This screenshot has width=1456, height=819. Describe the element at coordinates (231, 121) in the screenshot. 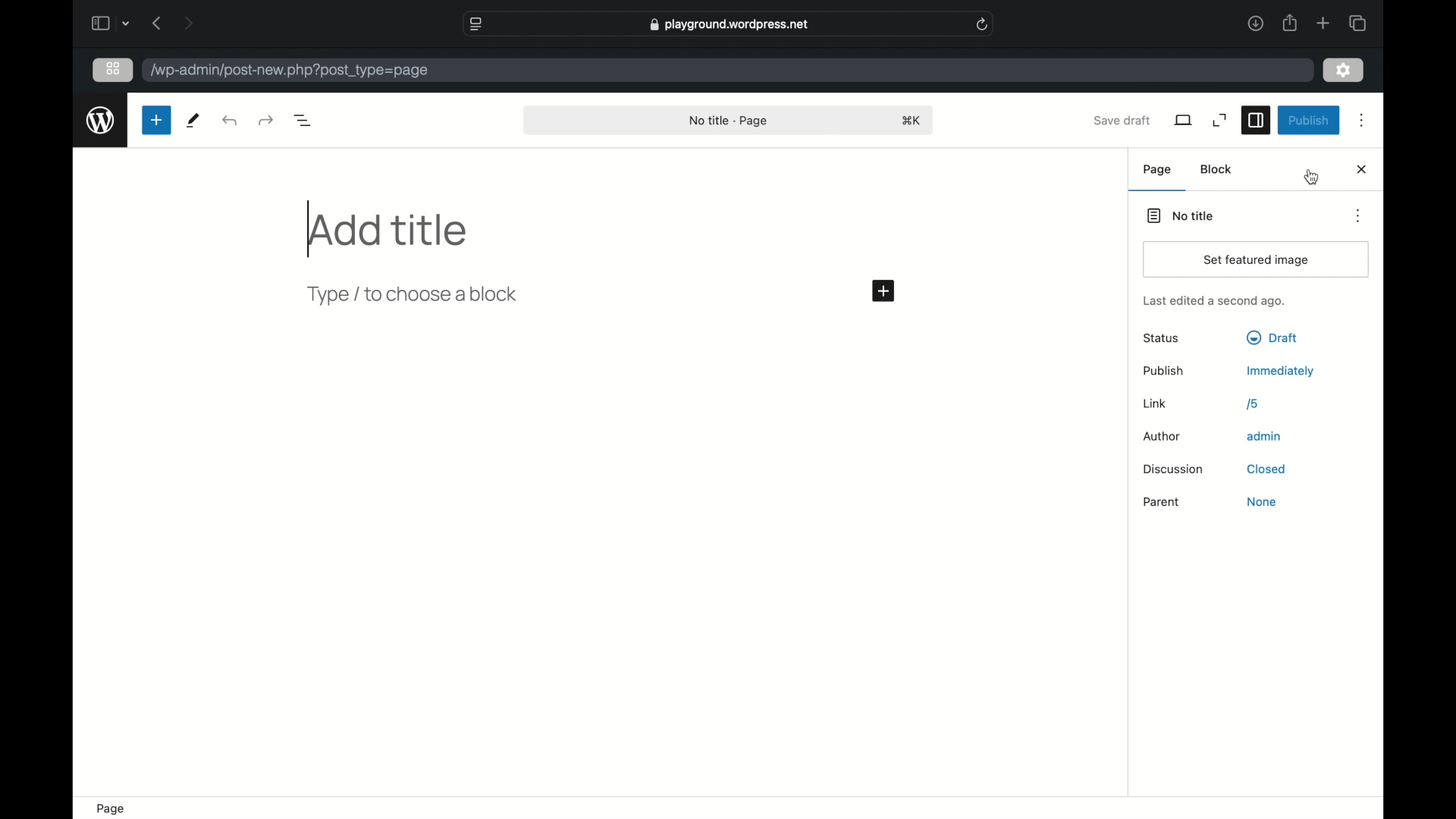

I see `redo` at that location.